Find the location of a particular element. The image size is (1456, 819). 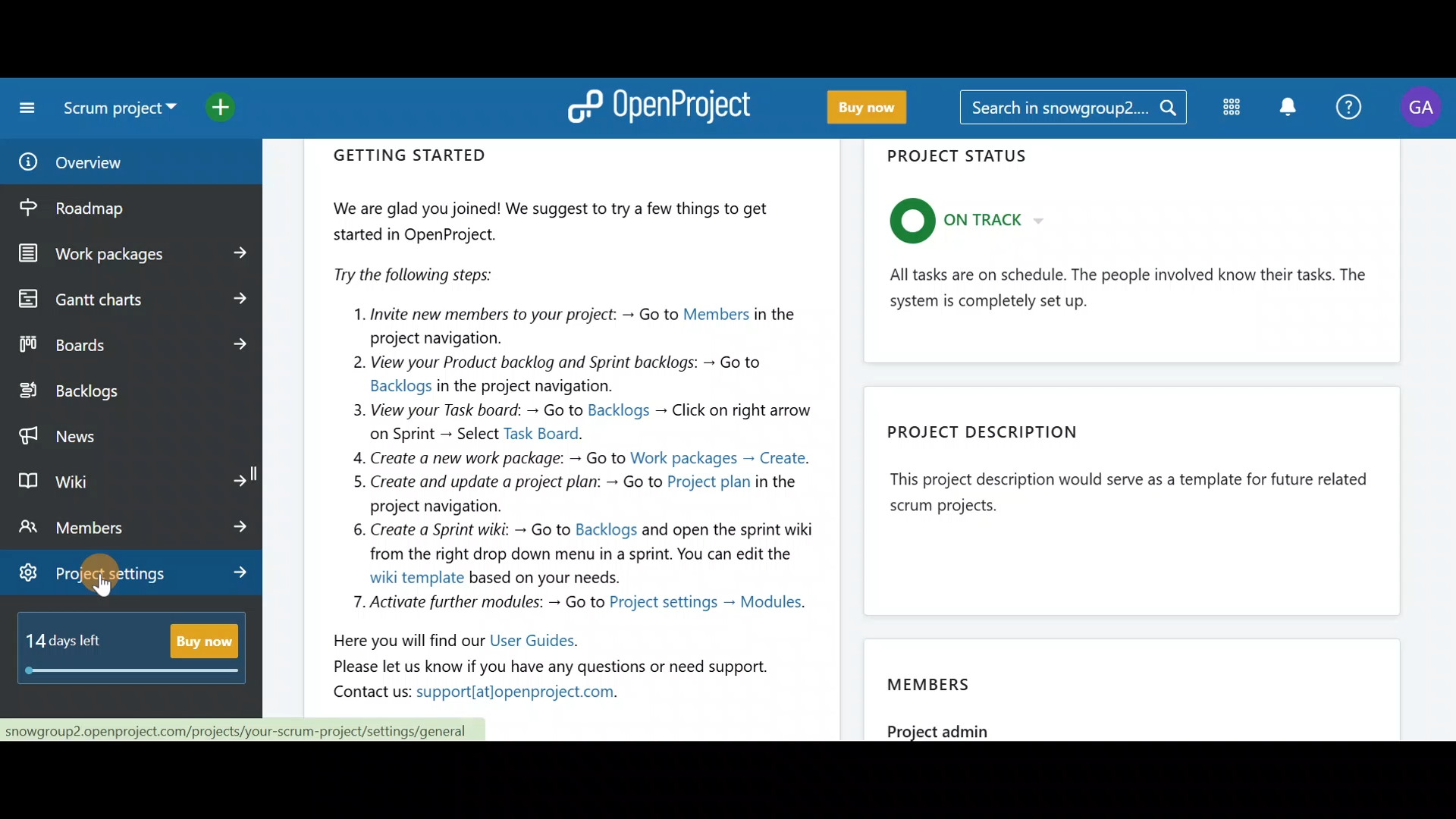

News is located at coordinates (130, 432).